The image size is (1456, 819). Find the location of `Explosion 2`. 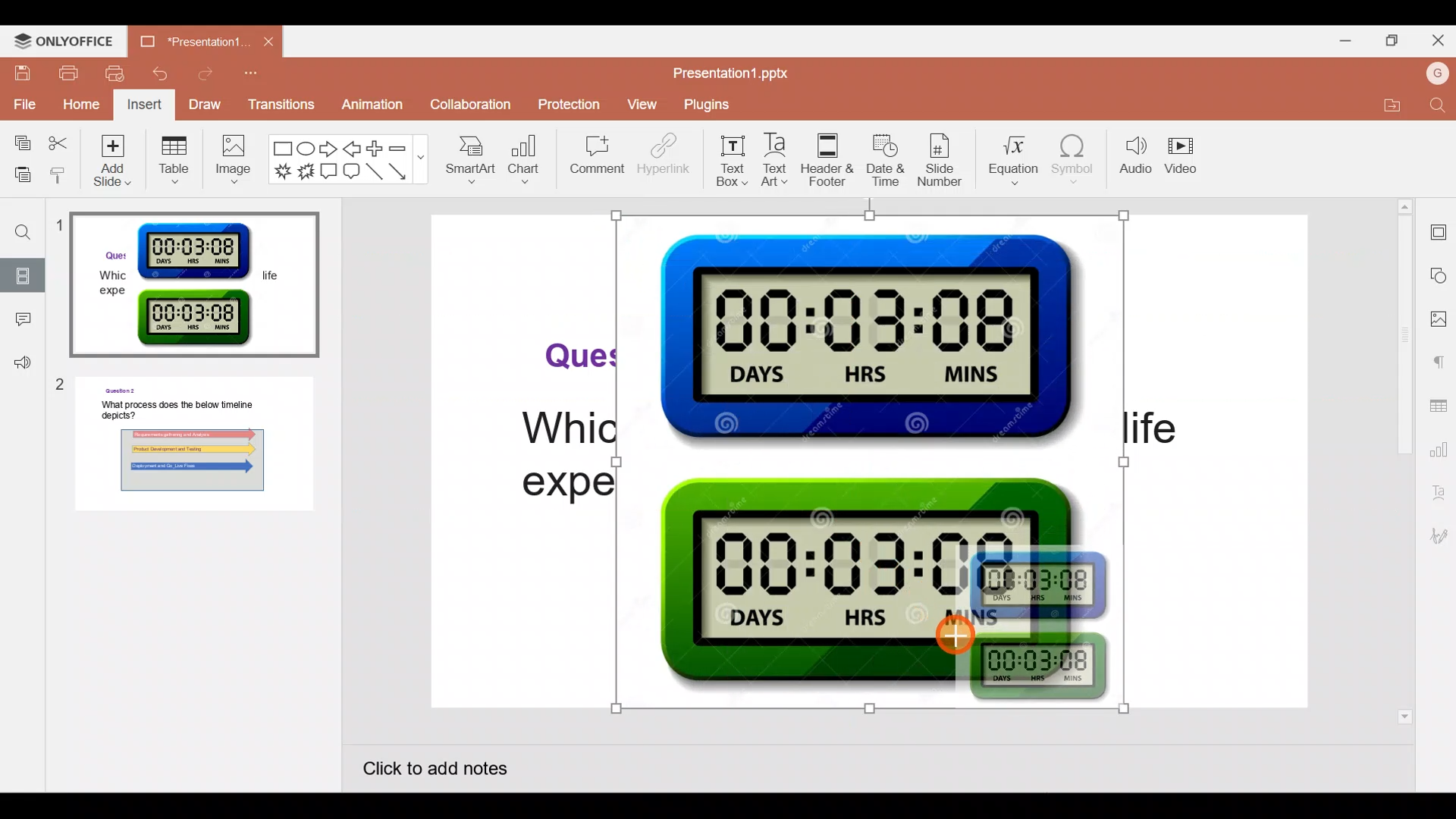

Explosion 2 is located at coordinates (304, 169).